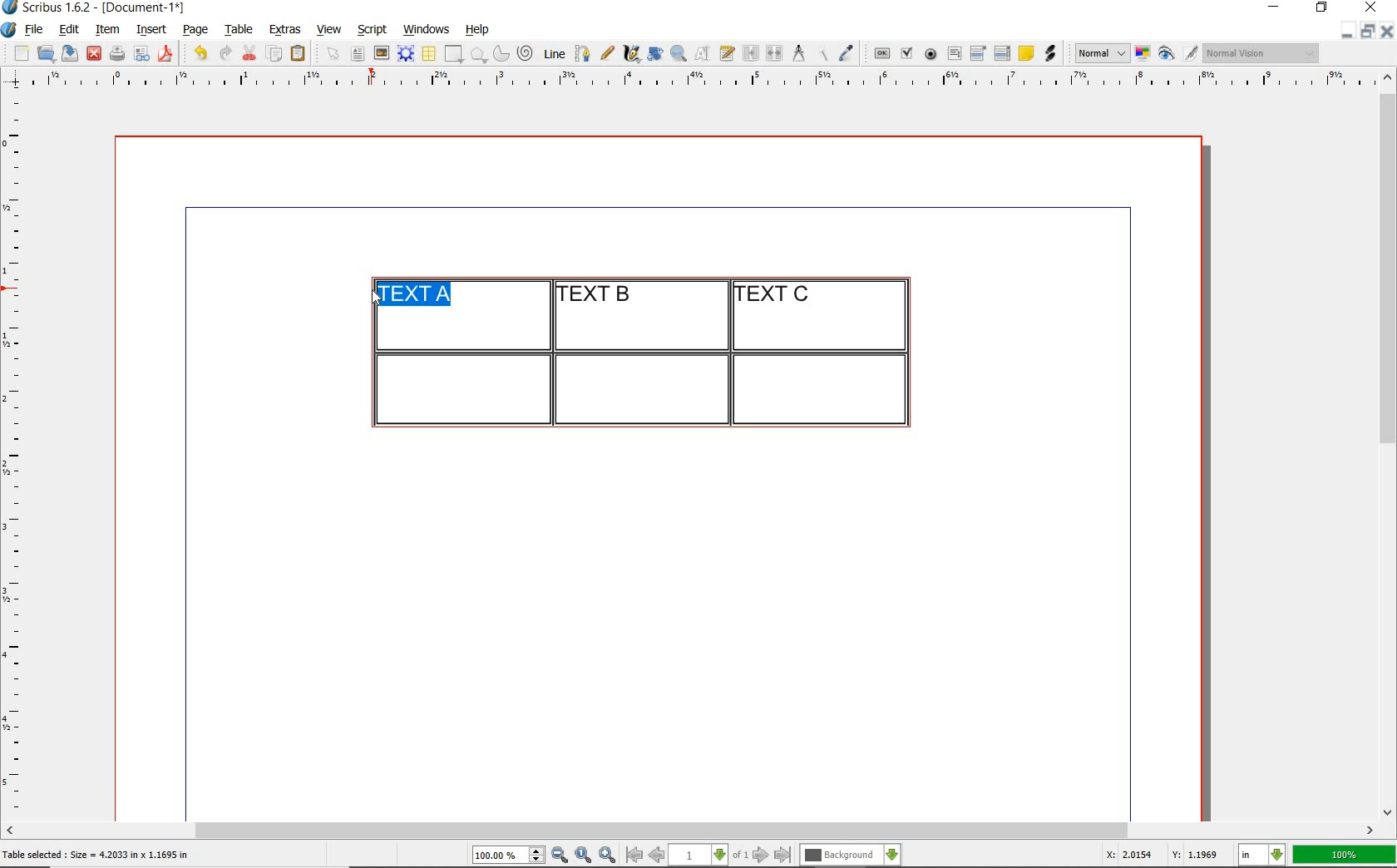  Describe the element at coordinates (45, 52) in the screenshot. I see `open` at that location.